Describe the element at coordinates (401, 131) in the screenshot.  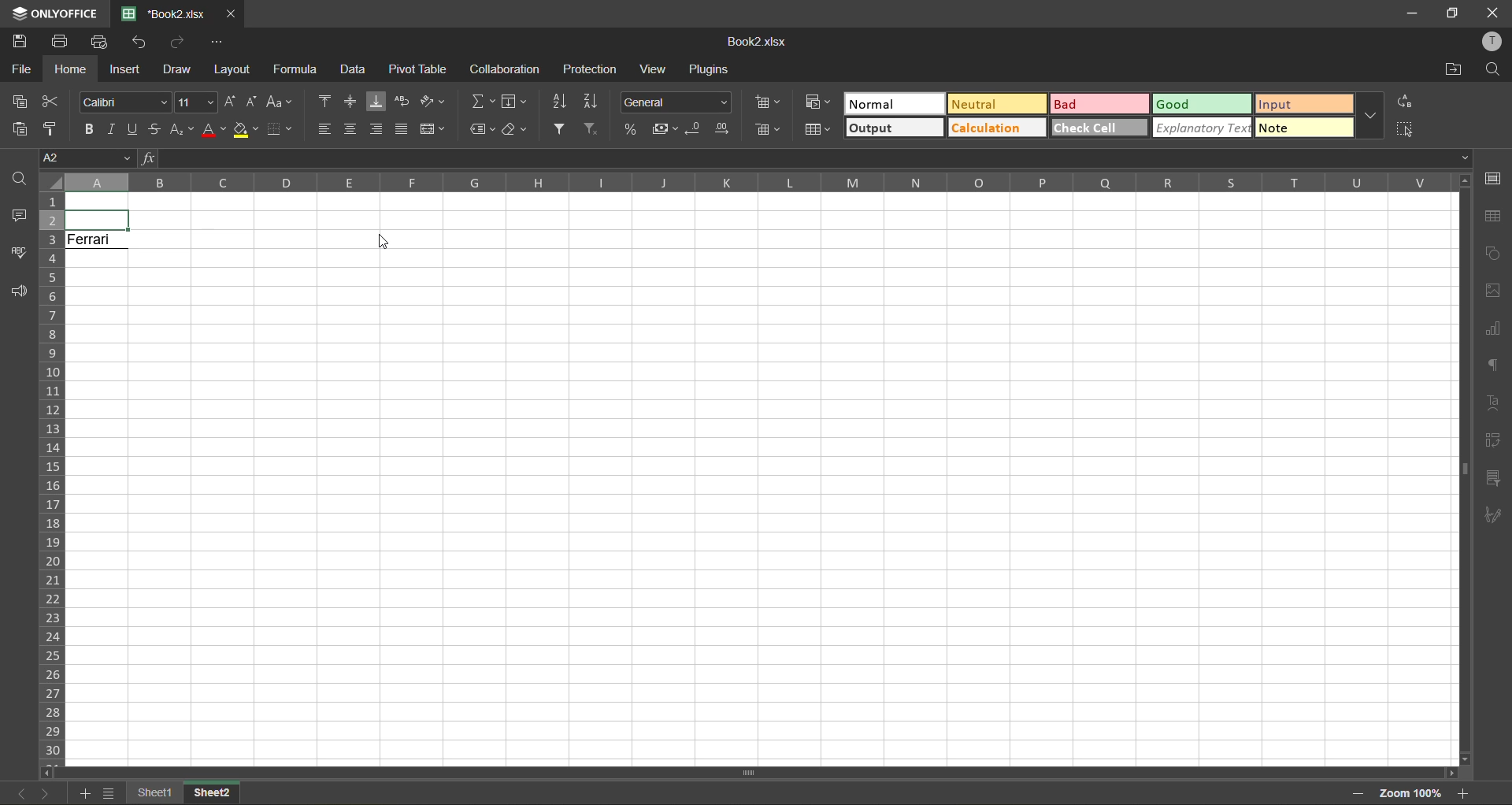
I see `justified` at that location.